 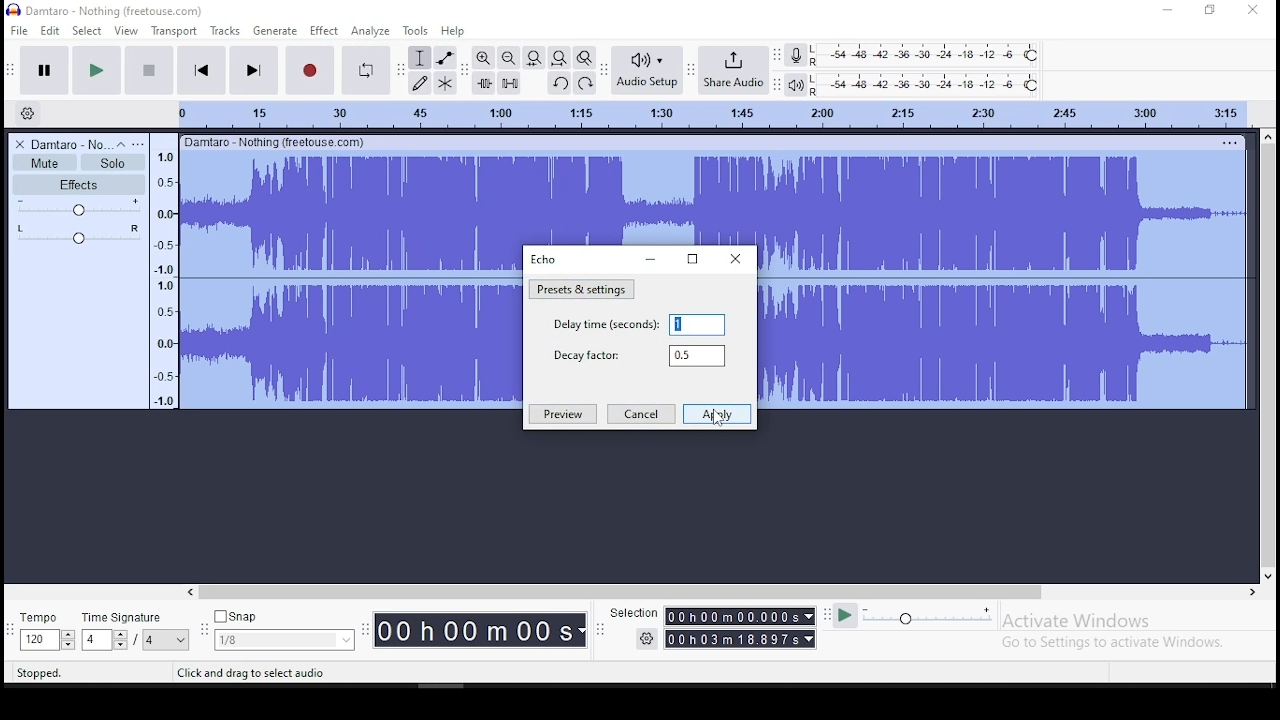 I want to click on select, so click(x=88, y=30).